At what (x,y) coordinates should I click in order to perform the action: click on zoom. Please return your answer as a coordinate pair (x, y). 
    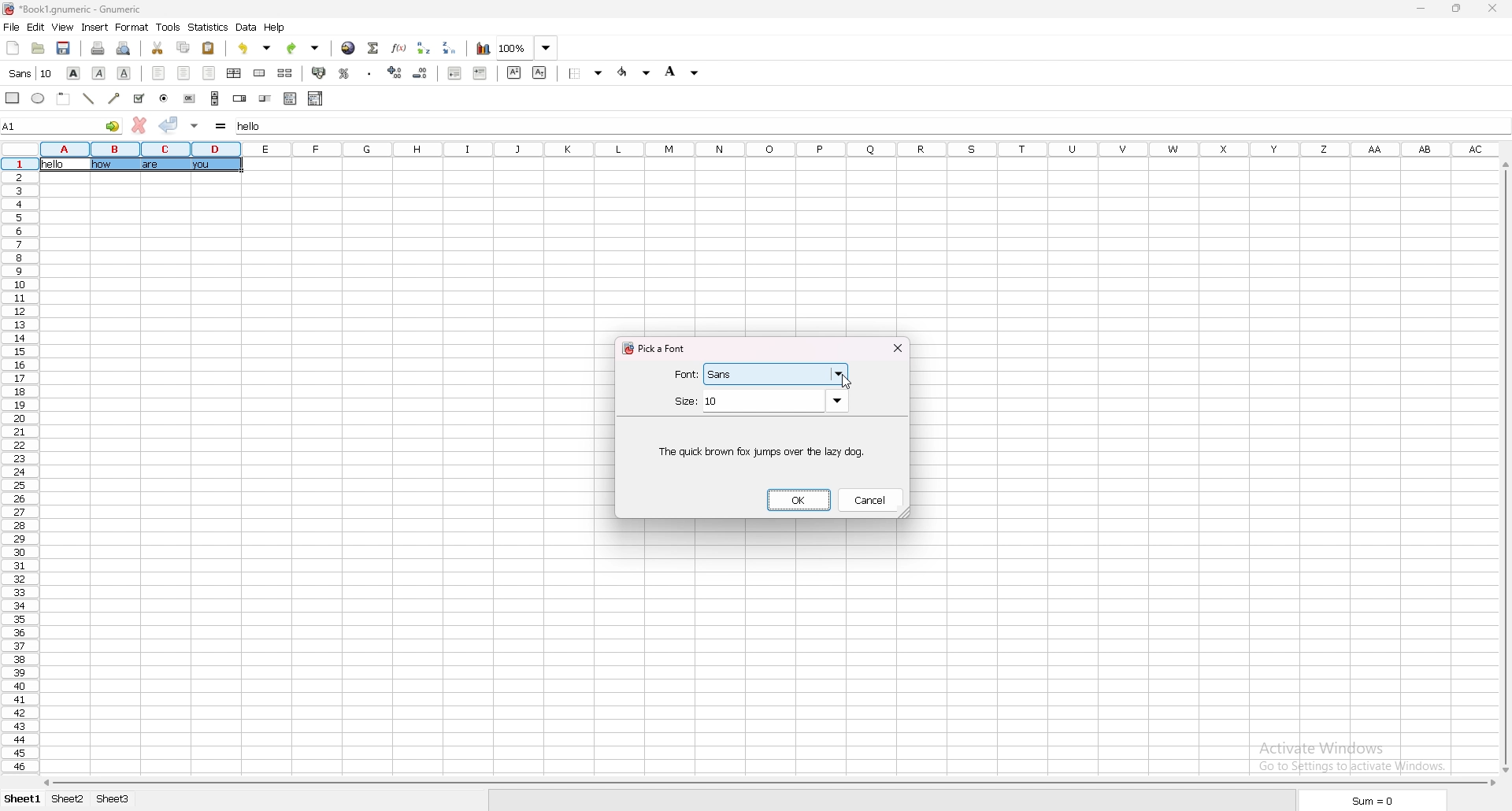
    Looking at the image, I should click on (528, 48).